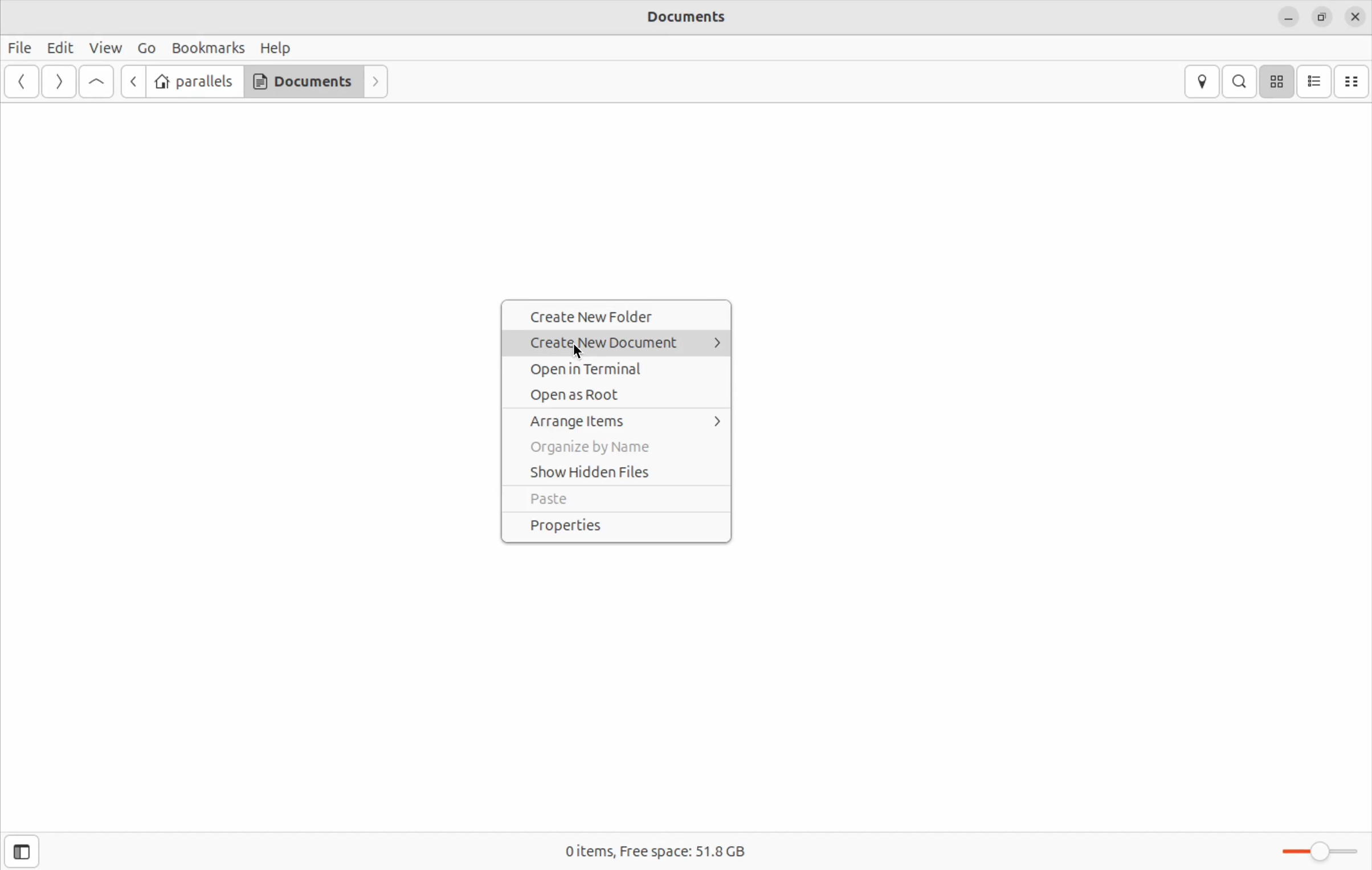 The width and height of the screenshot is (1372, 870). What do you see at coordinates (623, 422) in the screenshot?
I see `Arrange Items` at bounding box center [623, 422].